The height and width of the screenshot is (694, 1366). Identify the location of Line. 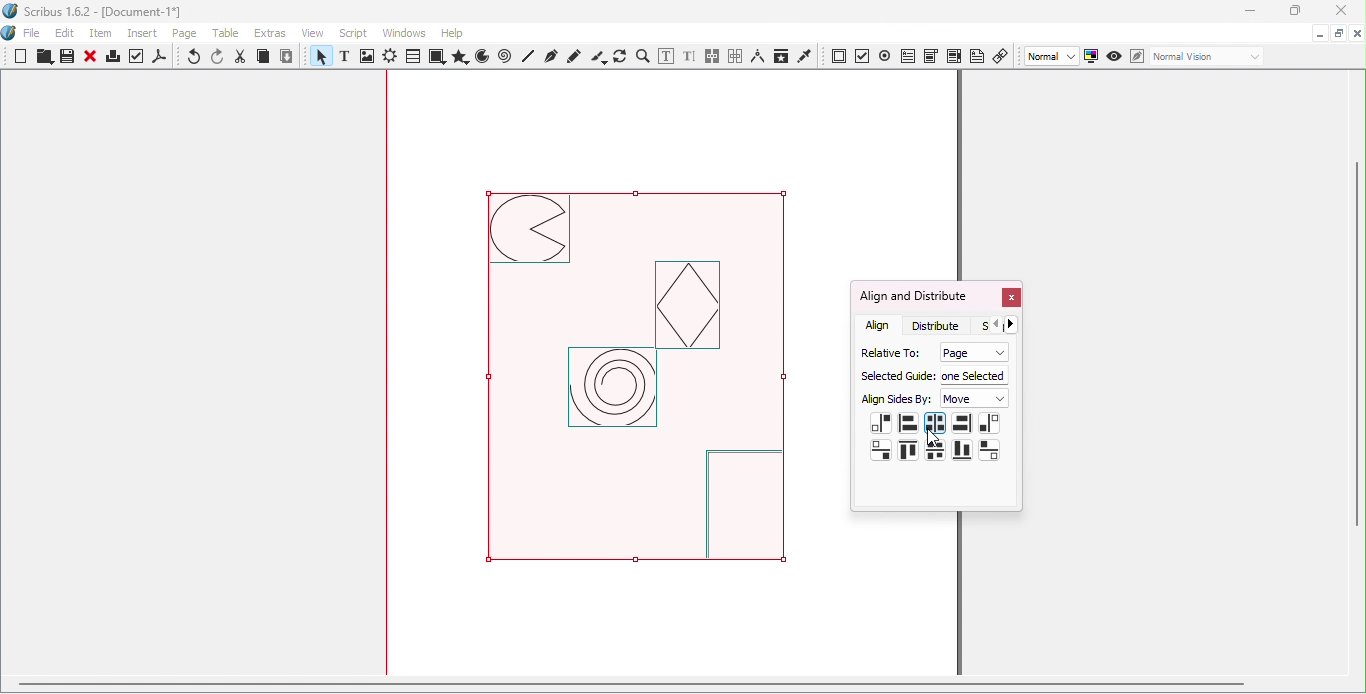
(529, 56).